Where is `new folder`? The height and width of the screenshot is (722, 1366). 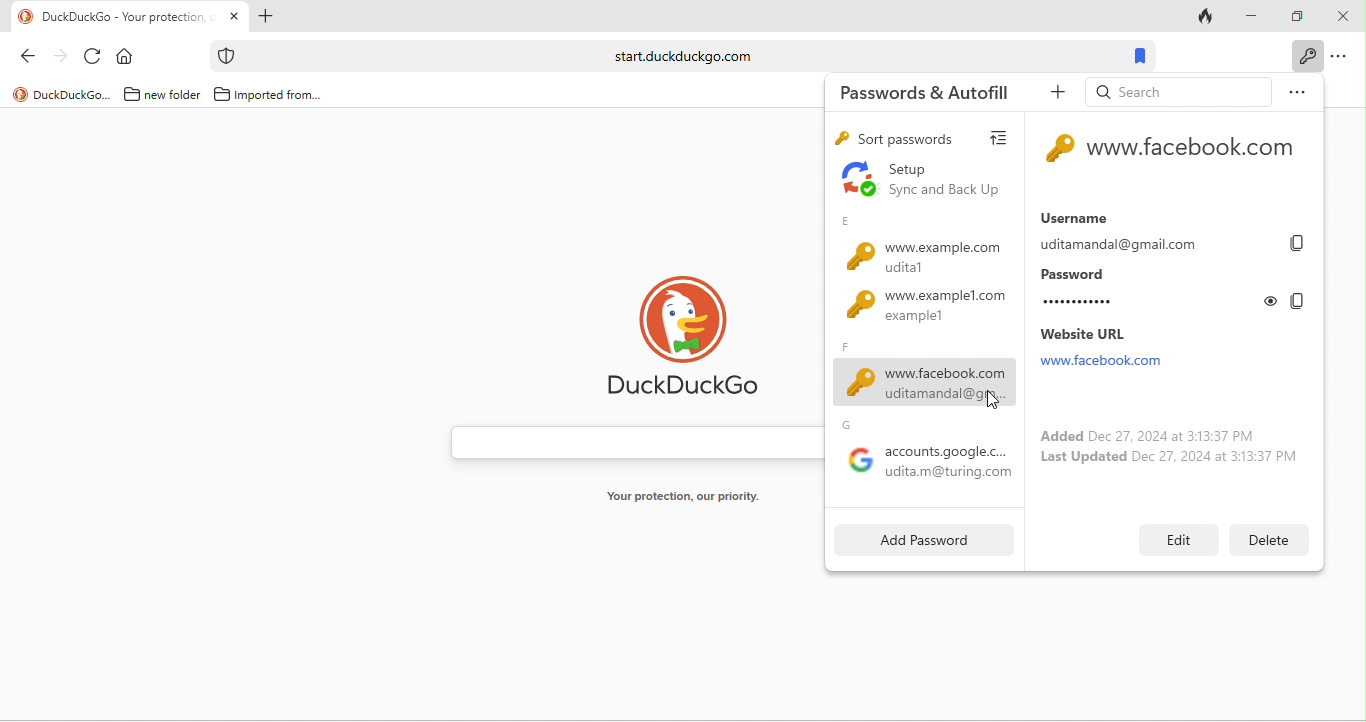
new folder is located at coordinates (159, 95).